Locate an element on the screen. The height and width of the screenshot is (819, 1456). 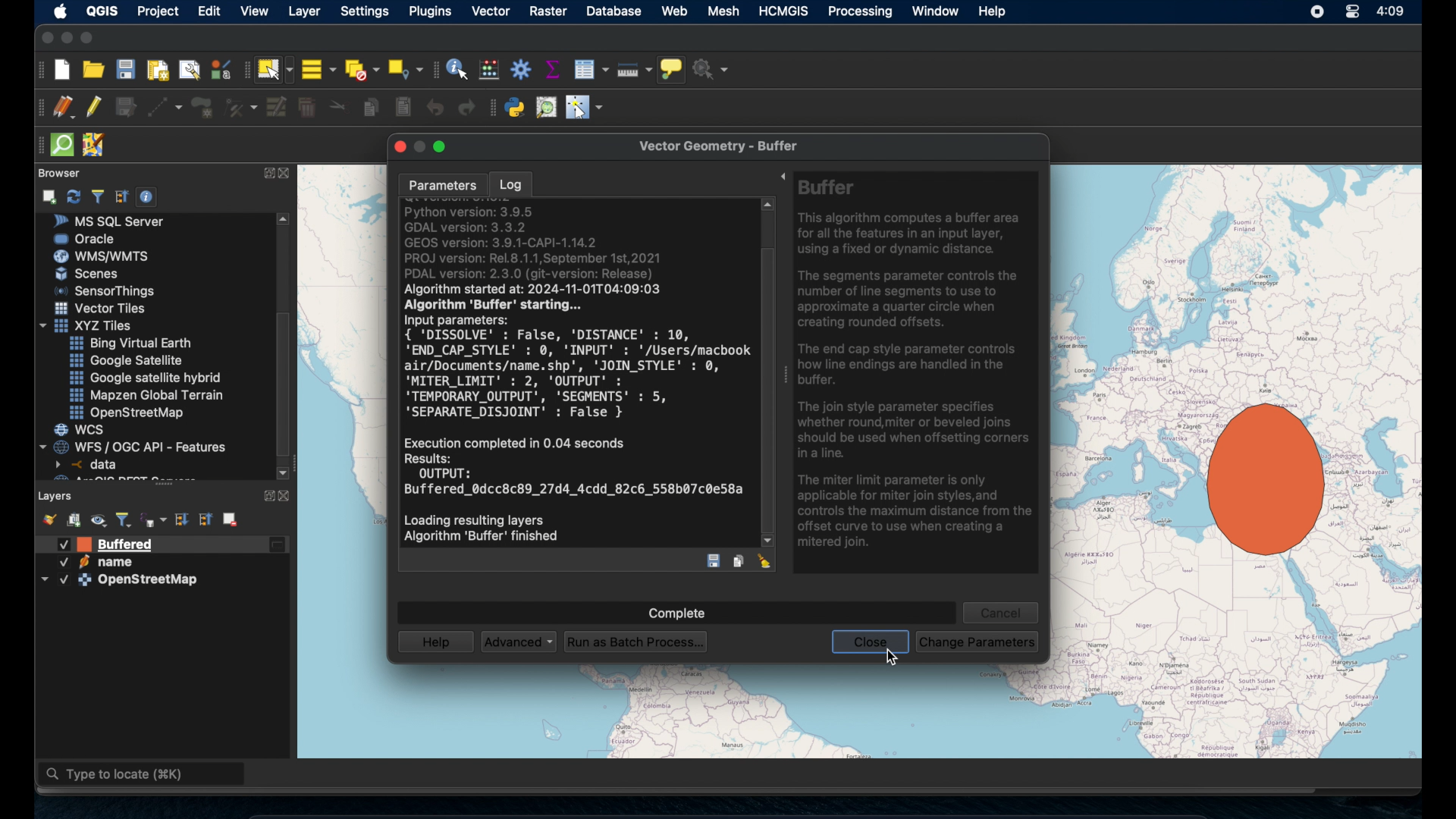
Buffer

This algorithm computes a buffer area
for all the features in an input layer,
using a fixed or dynamic distance.

The segments parameter controls the
number of line segments to use to
approximate a quarter circle when
creating rounded offsets.

The end cap style parameter controls
how line endings are handled in the
buffer.

The join style parameter specifies
whether round, miter or beveled joins
should be used when offsetting corners
ina line.

The miter limit parameter is only
applicable for miter join styles,and
controls the maximum distance from the
offset curve to use when creating a
mitered join. is located at coordinates (918, 369).